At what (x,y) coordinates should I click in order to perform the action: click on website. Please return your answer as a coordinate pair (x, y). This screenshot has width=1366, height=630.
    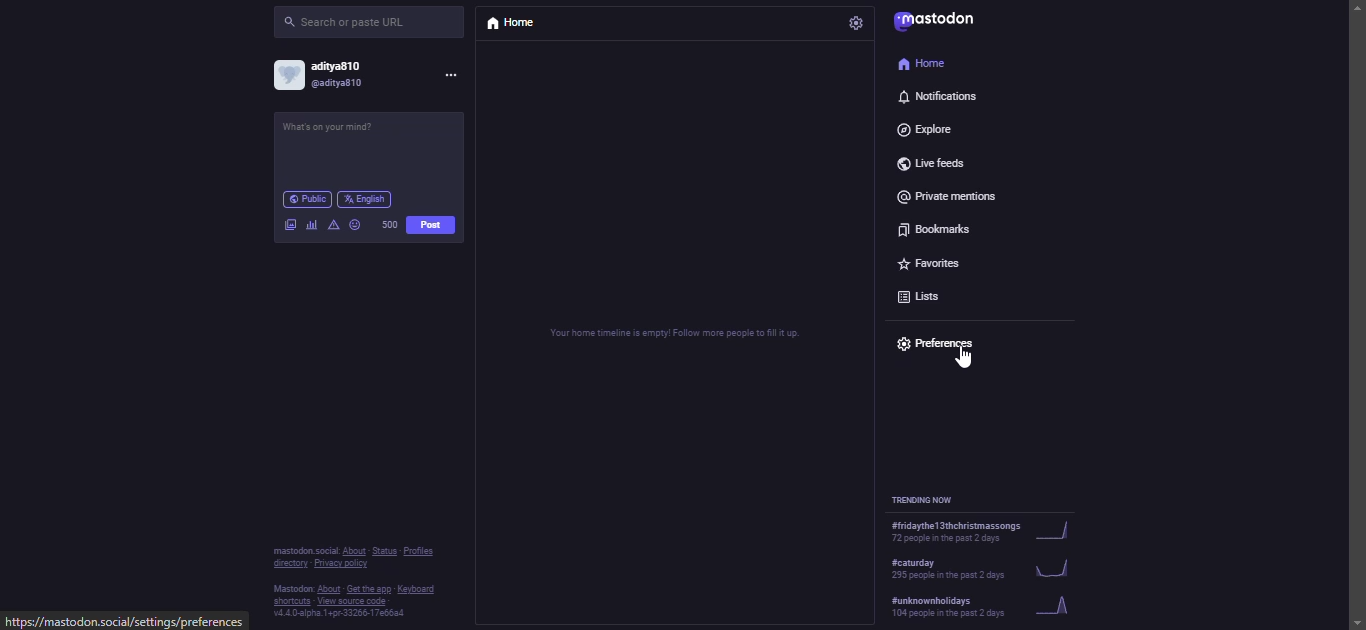
    Looking at the image, I should click on (127, 621).